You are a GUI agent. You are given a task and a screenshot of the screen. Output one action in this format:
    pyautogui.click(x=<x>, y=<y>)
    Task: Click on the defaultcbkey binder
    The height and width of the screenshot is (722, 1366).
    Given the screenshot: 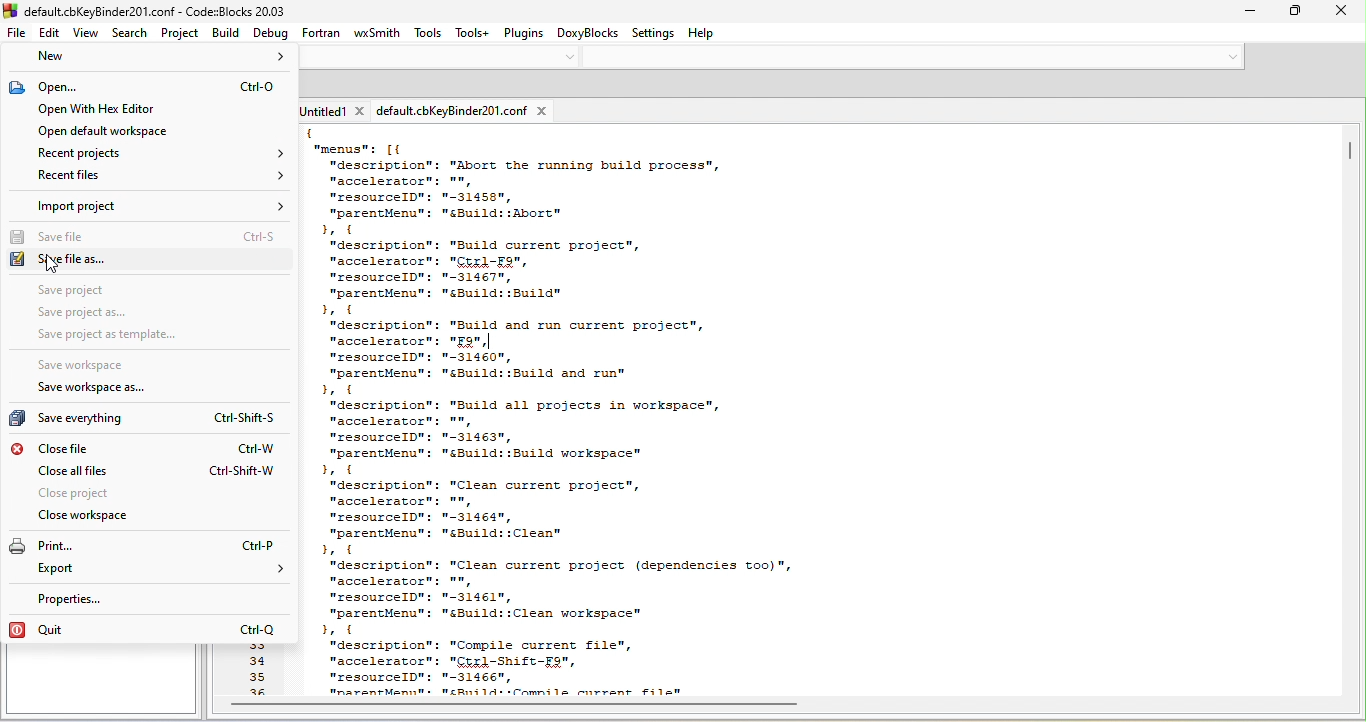 What is the action you would take?
    pyautogui.click(x=462, y=111)
    